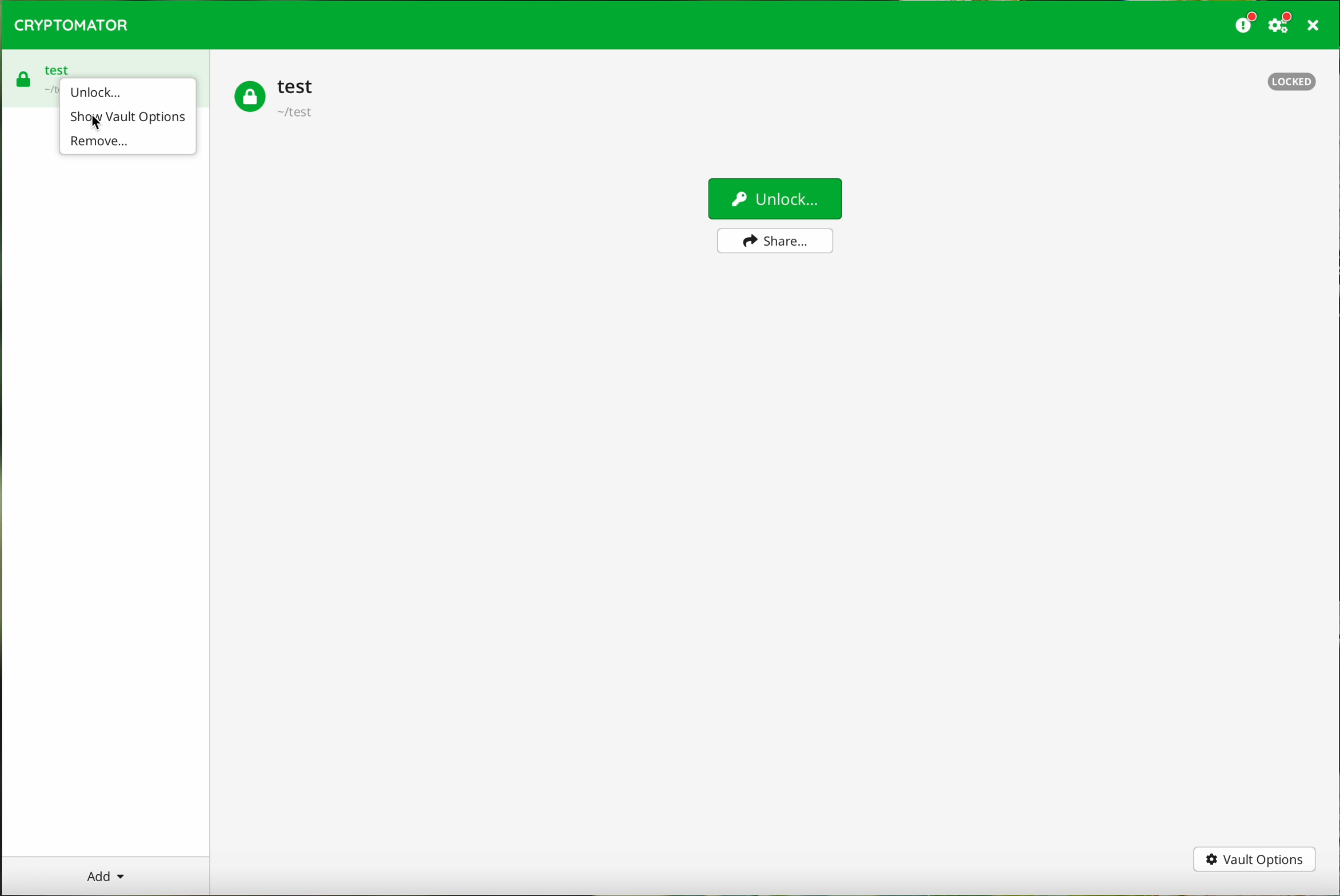 The width and height of the screenshot is (1340, 896). I want to click on cryptomator, so click(72, 26).